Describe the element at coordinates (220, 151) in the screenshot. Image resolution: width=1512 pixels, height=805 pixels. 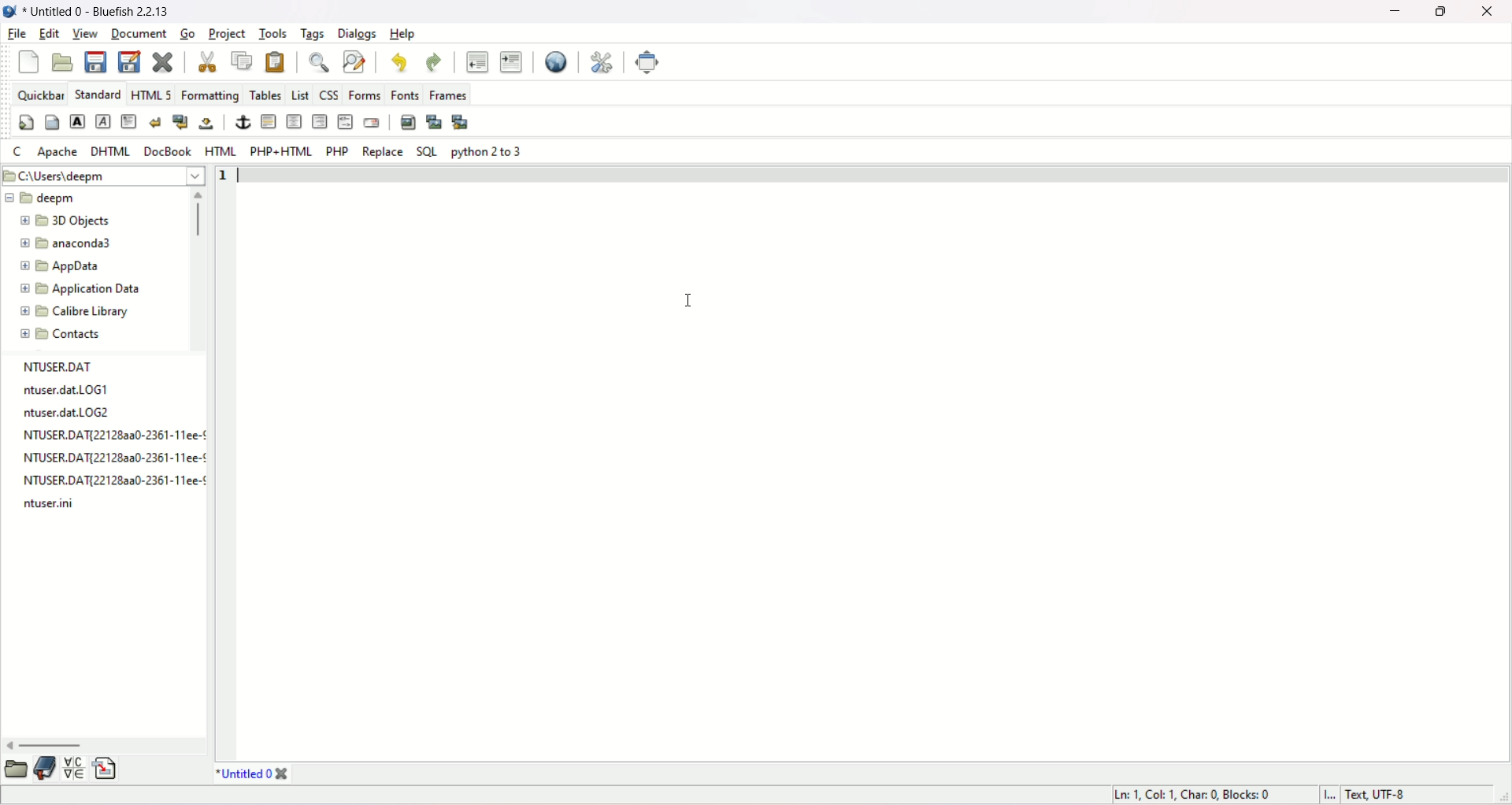
I see `HTML` at that location.